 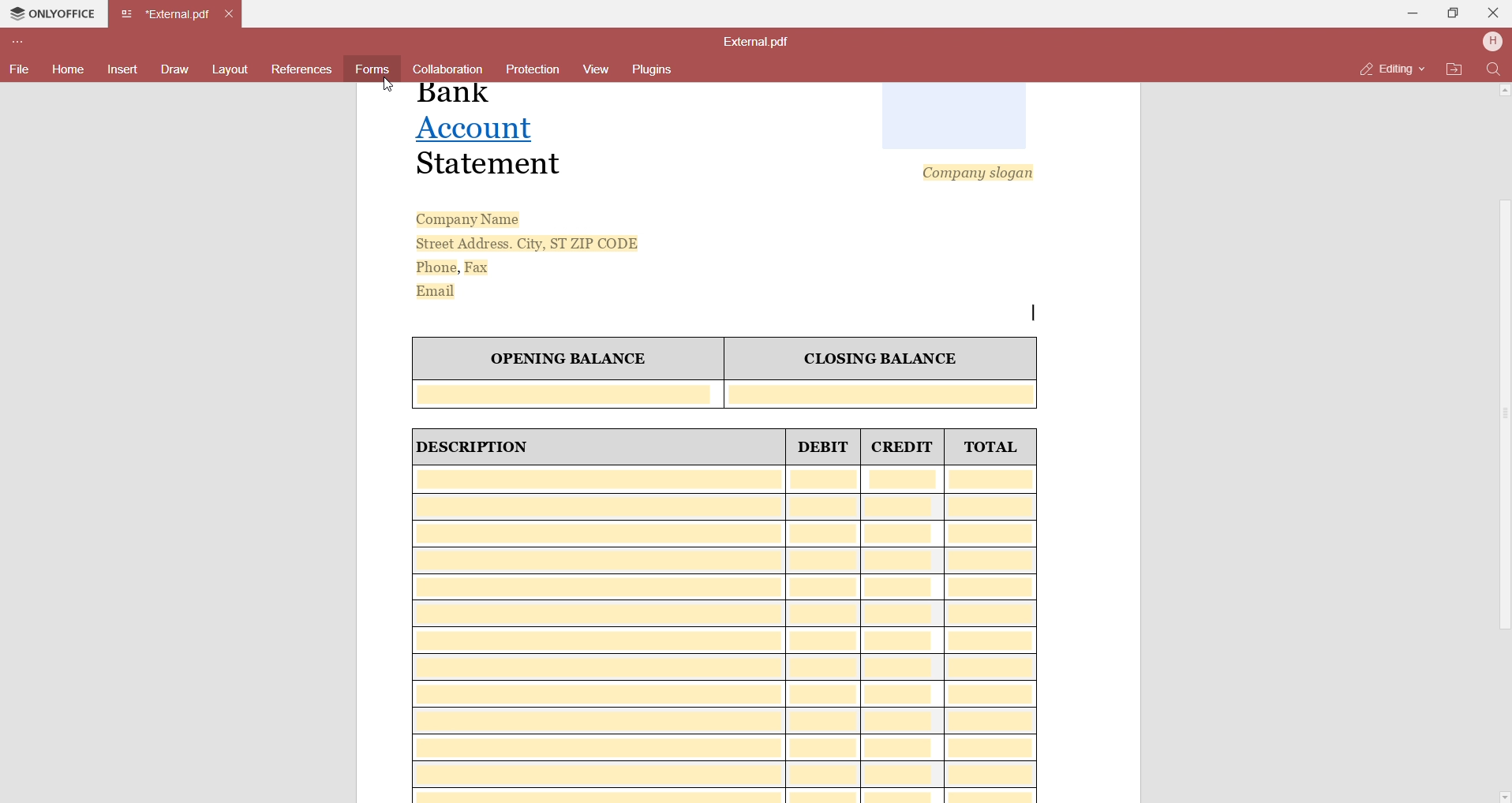 I want to click on Customize toolbar, so click(x=21, y=40).